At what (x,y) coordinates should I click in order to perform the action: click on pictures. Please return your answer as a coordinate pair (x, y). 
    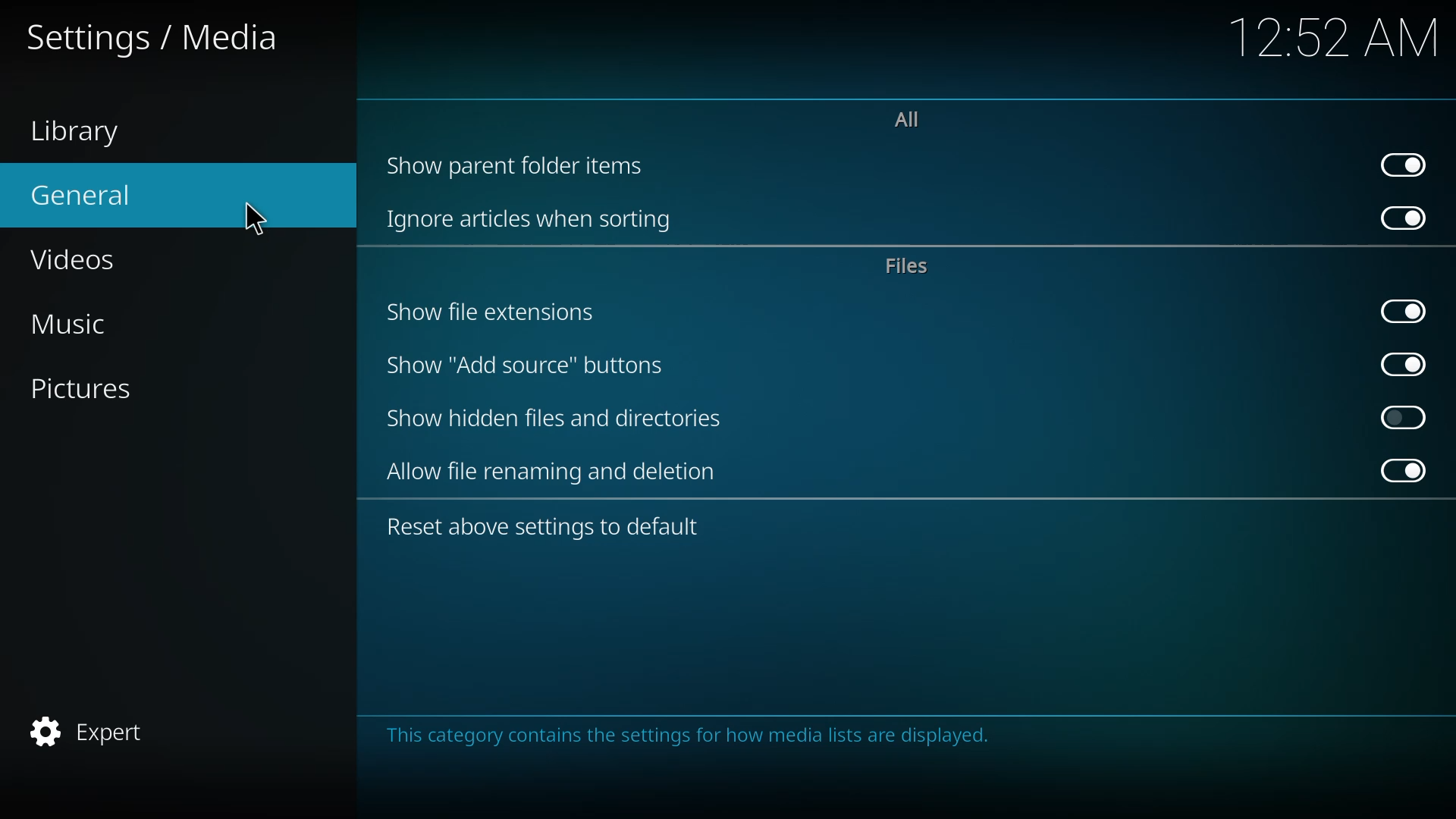
    Looking at the image, I should click on (100, 391).